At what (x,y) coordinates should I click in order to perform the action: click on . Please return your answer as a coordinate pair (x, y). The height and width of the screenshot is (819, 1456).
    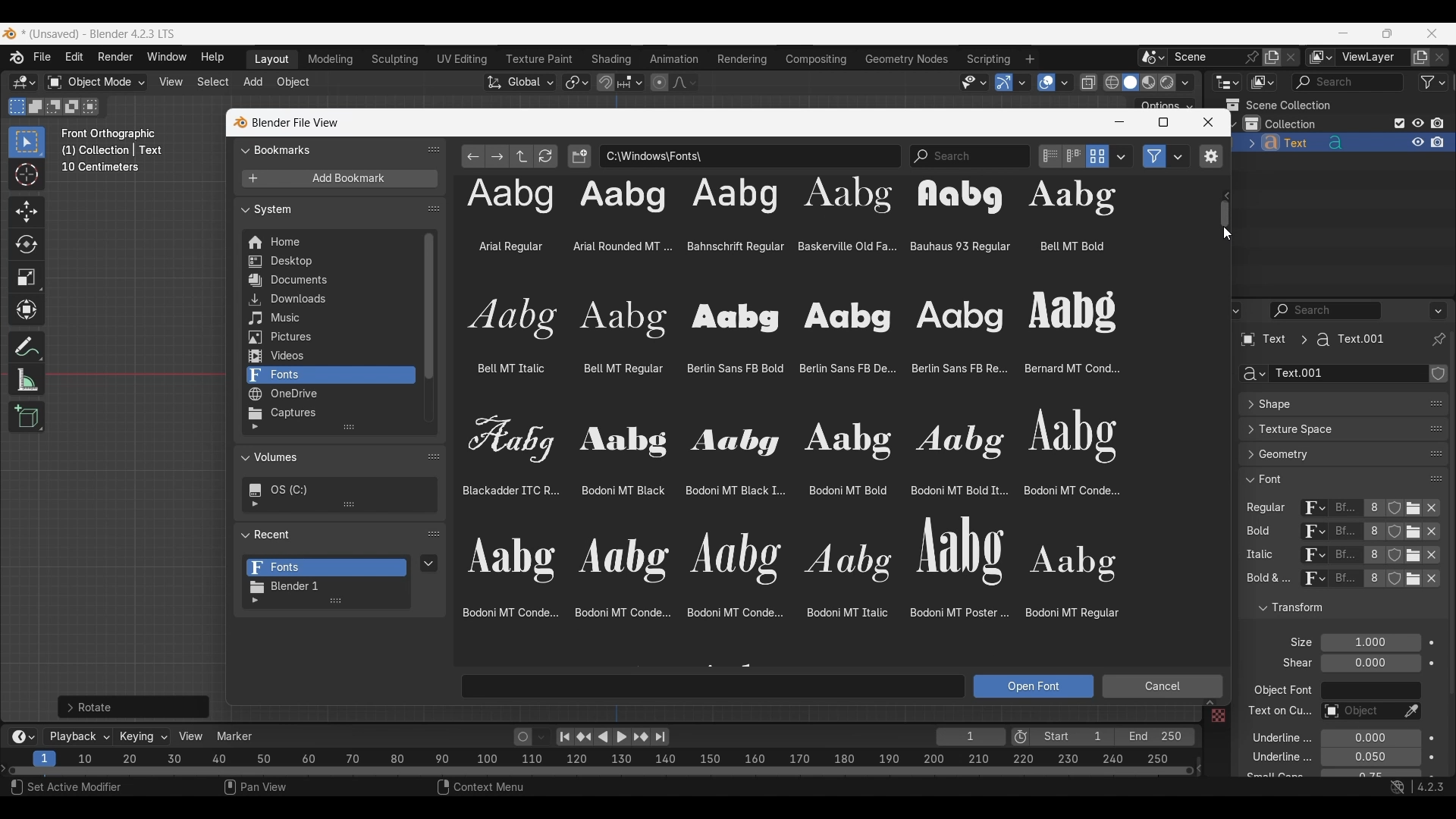
    Looking at the image, I should click on (1217, 717).